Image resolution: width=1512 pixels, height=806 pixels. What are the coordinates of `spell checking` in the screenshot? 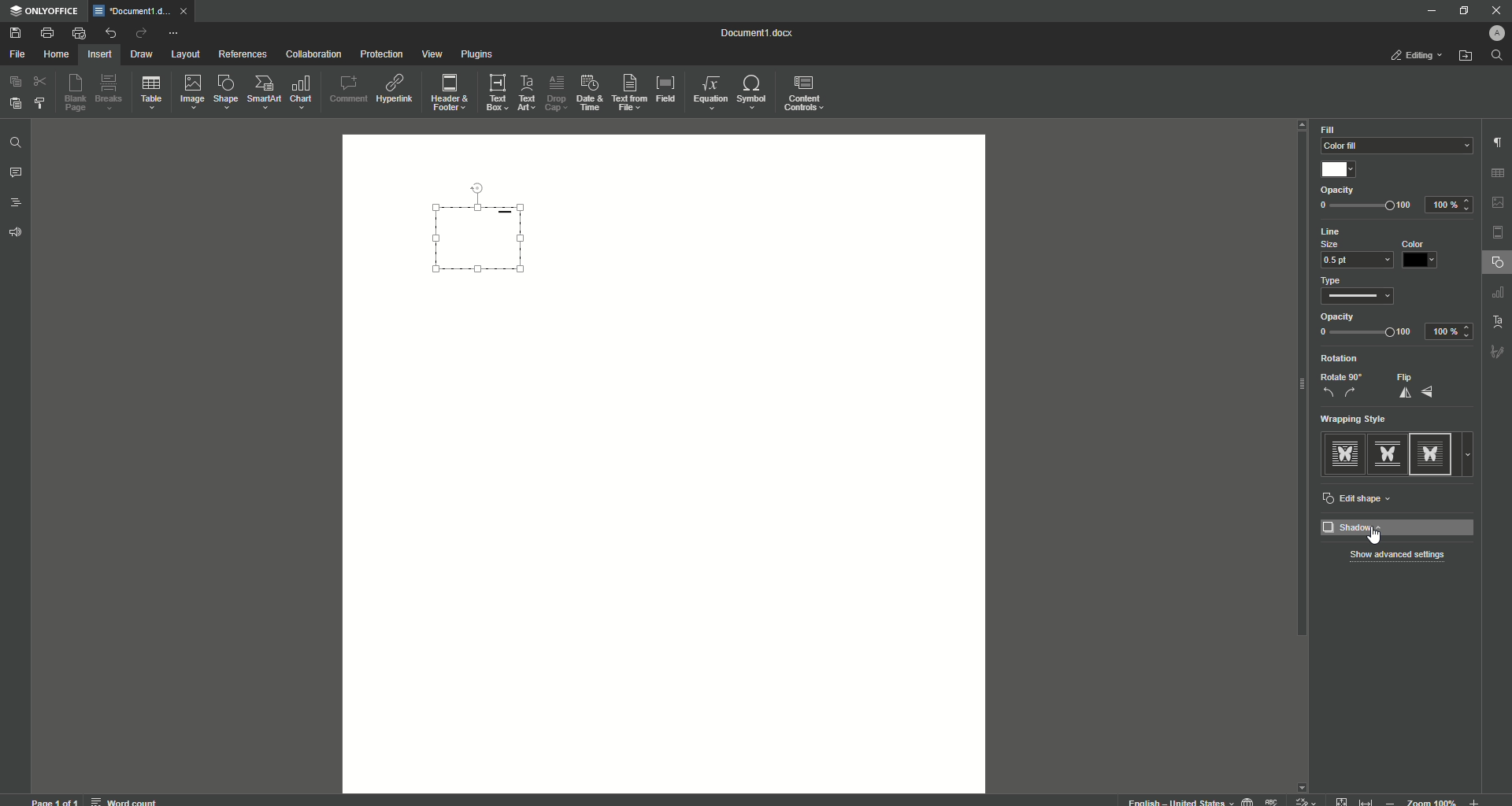 It's located at (1273, 800).